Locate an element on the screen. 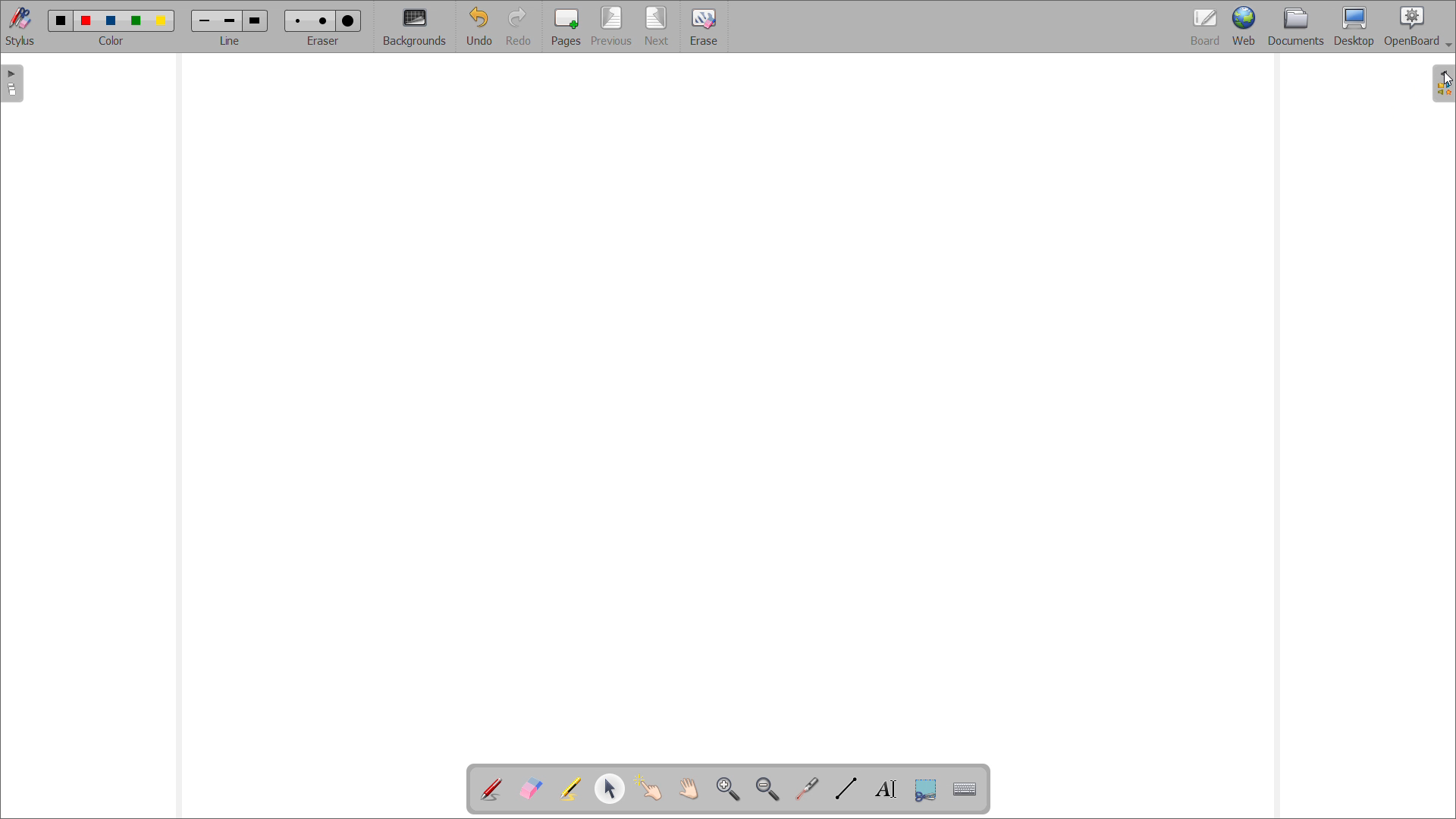 This screenshot has height=819, width=1456. board space is located at coordinates (727, 406).